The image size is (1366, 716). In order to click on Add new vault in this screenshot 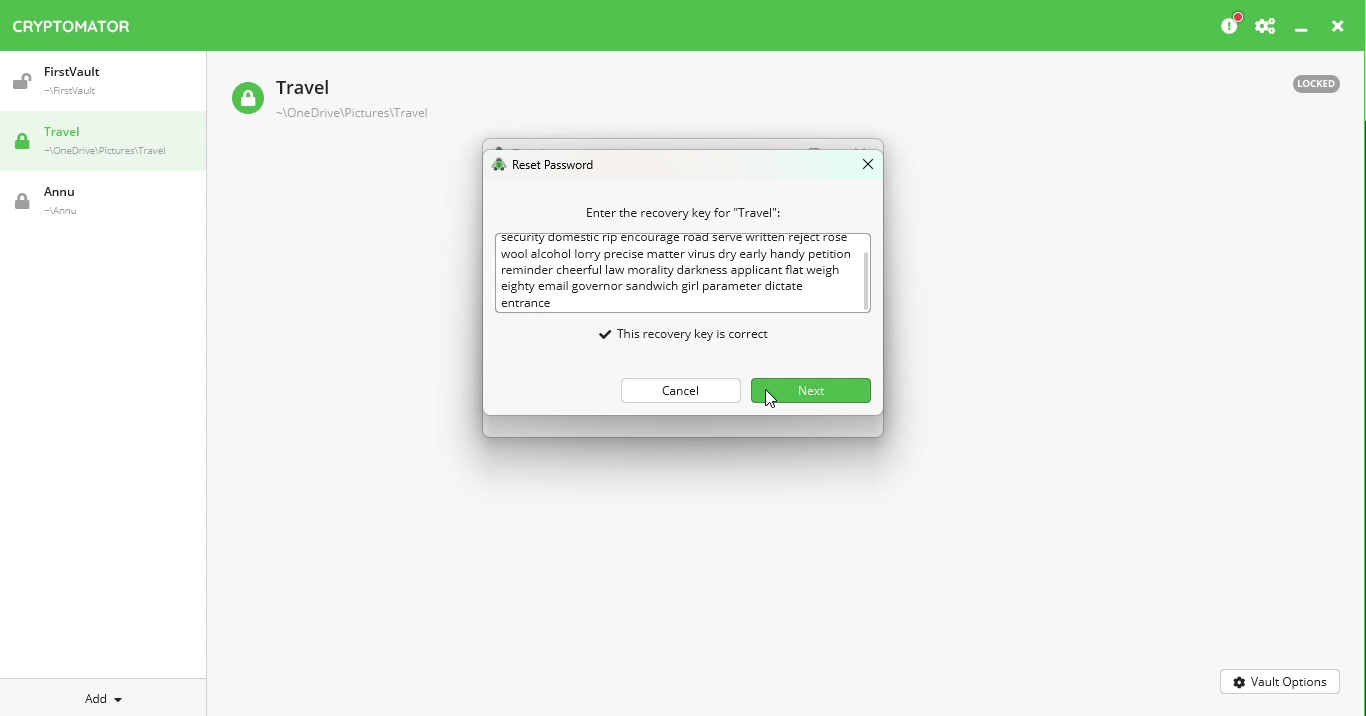, I will do `click(104, 696)`.